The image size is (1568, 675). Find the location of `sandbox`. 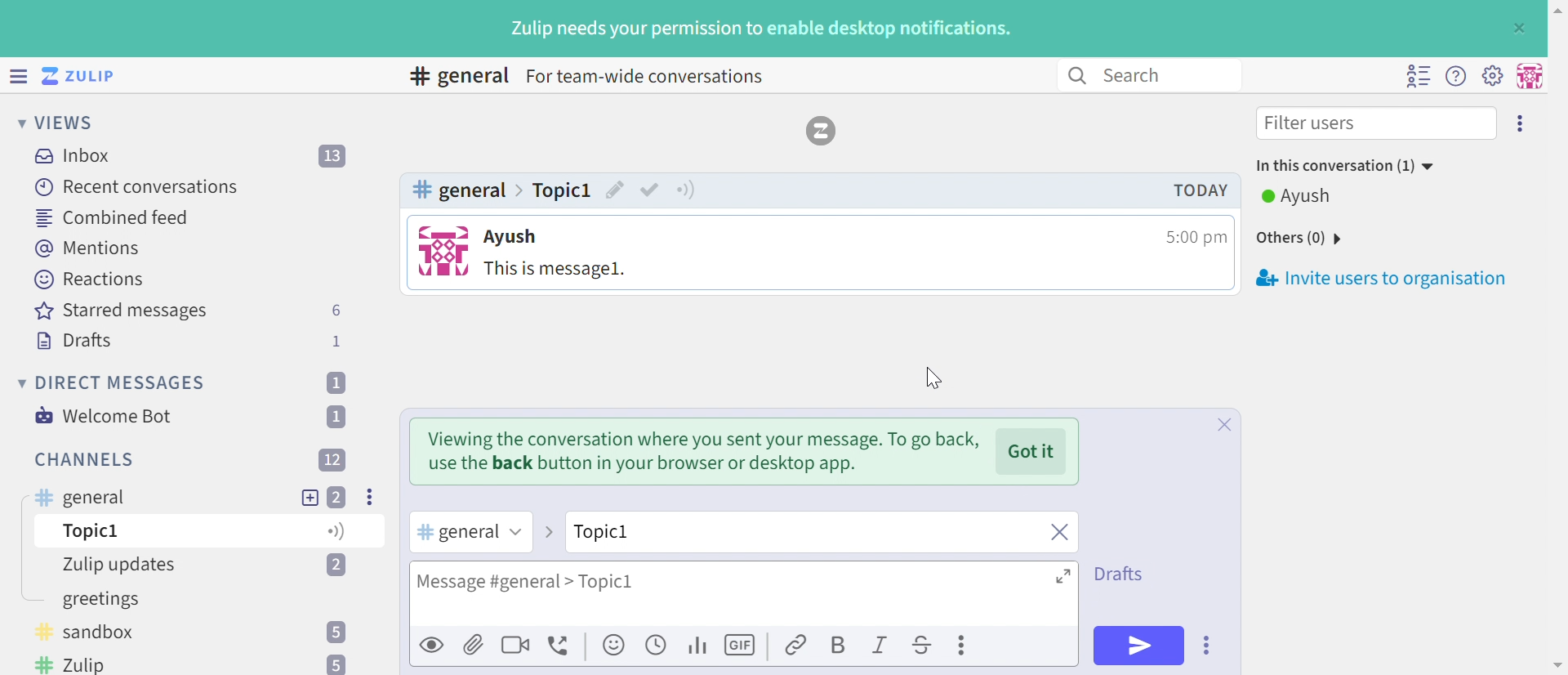

sandbox is located at coordinates (87, 534).